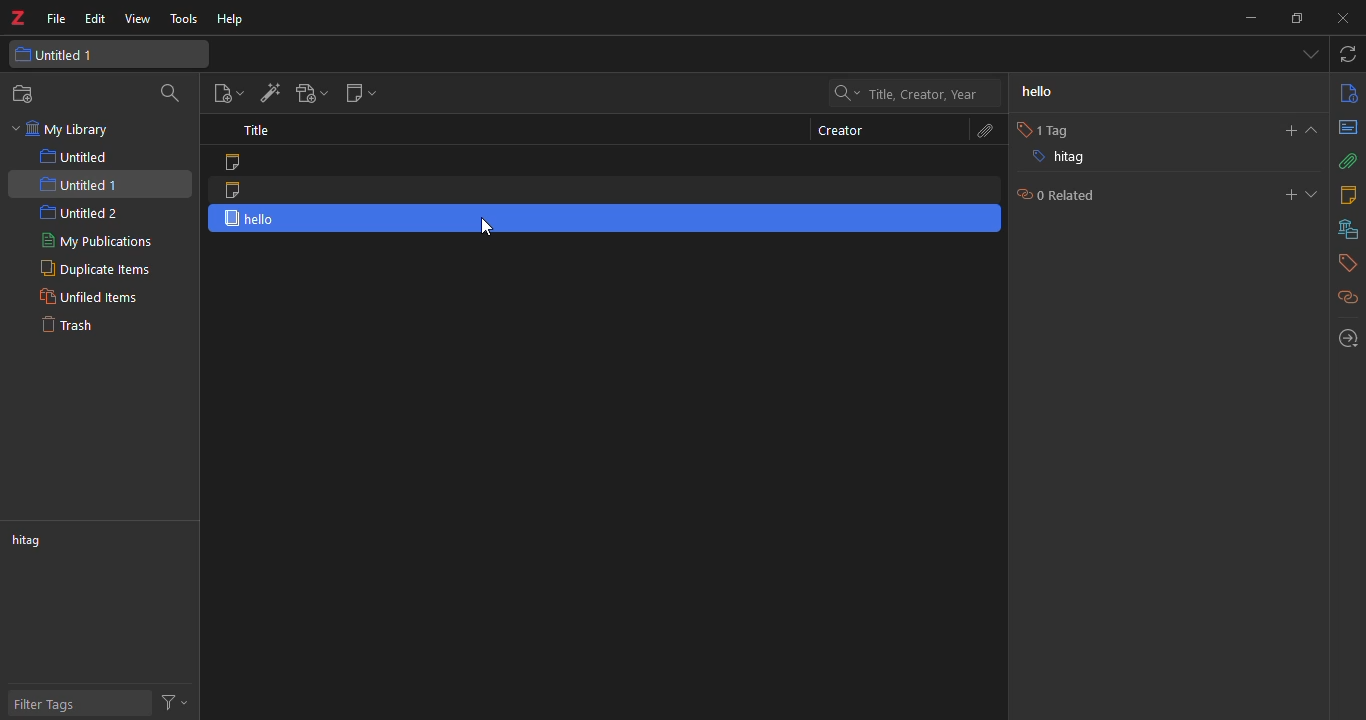 The width and height of the screenshot is (1366, 720). Describe the element at coordinates (1313, 195) in the screenshot. I see `expand` at that location.